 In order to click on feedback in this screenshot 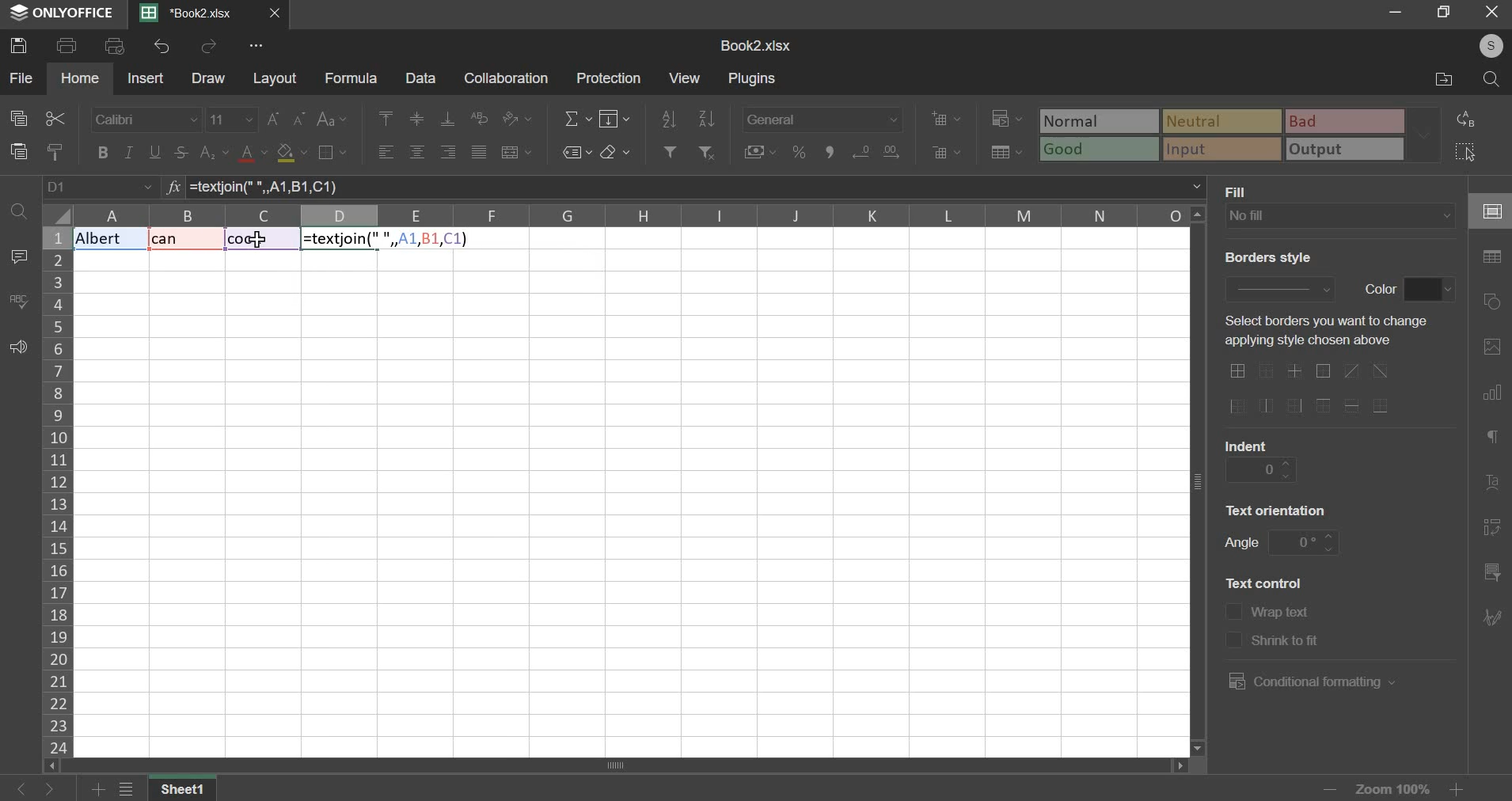, I will do `click(18, 348)`.